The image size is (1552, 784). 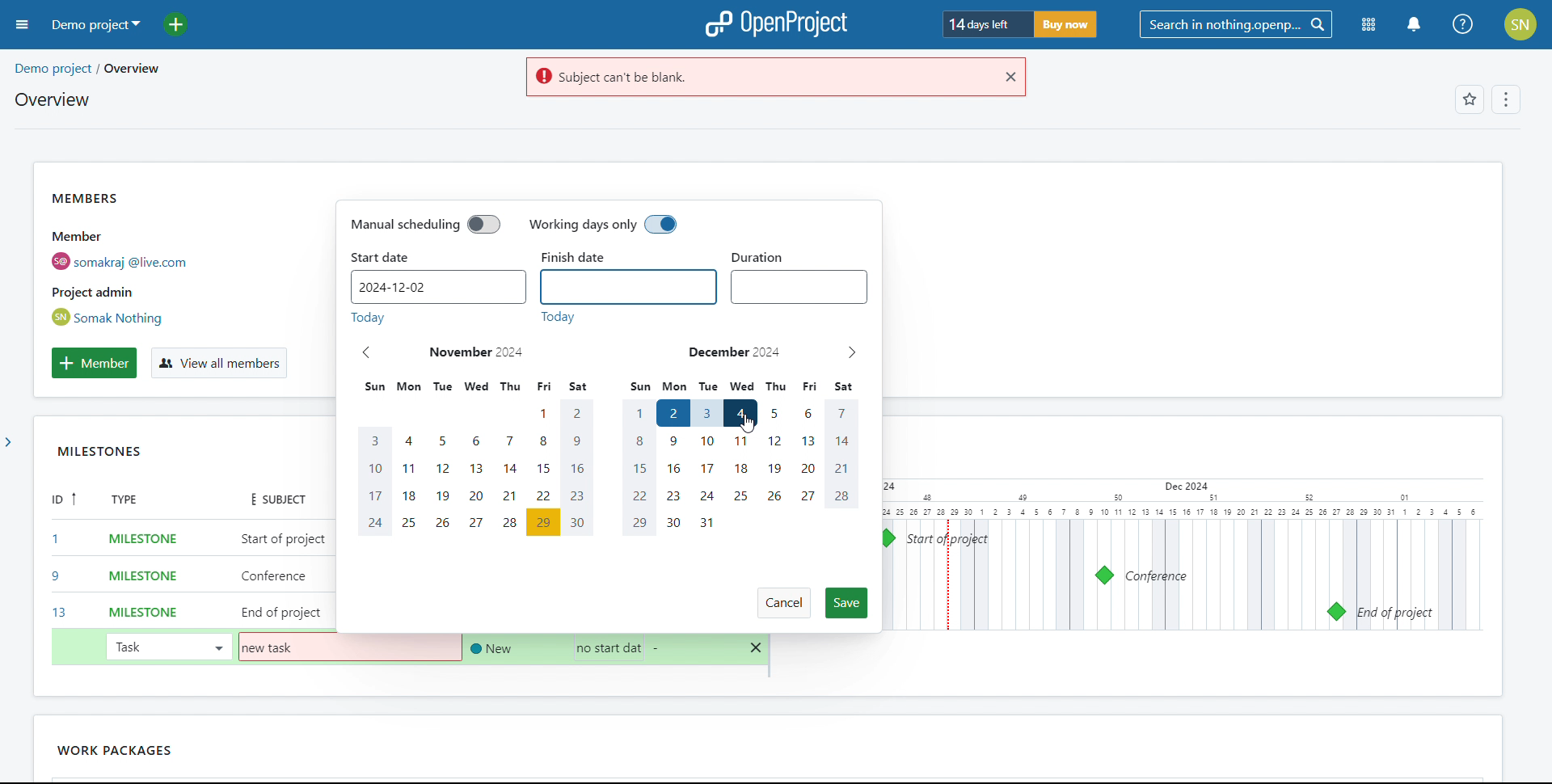 I want to click on save, so click(x=847, y=603).